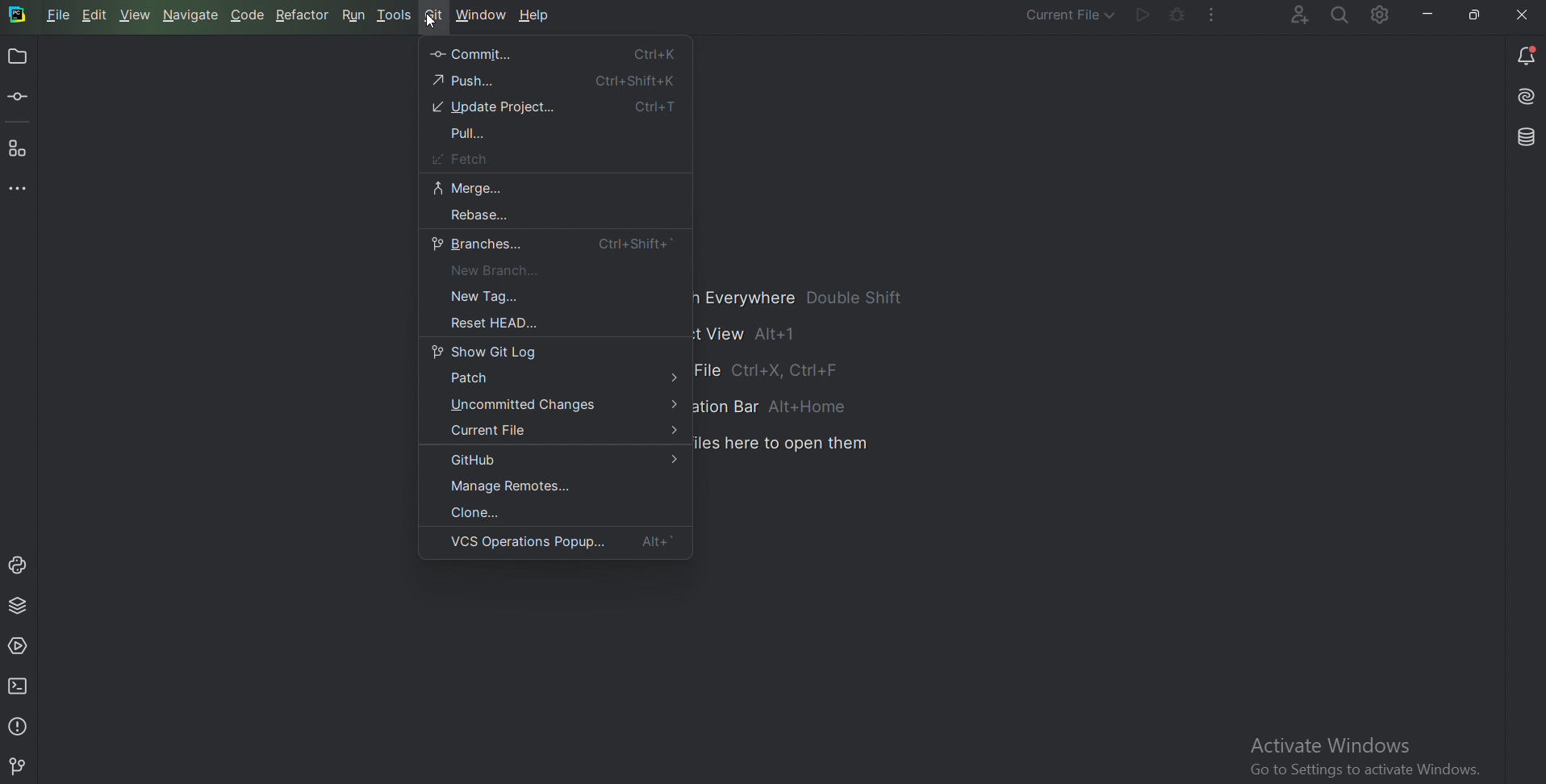 This screenshot has height=784, width=1546. I want to click on Git, so click(20, 766).